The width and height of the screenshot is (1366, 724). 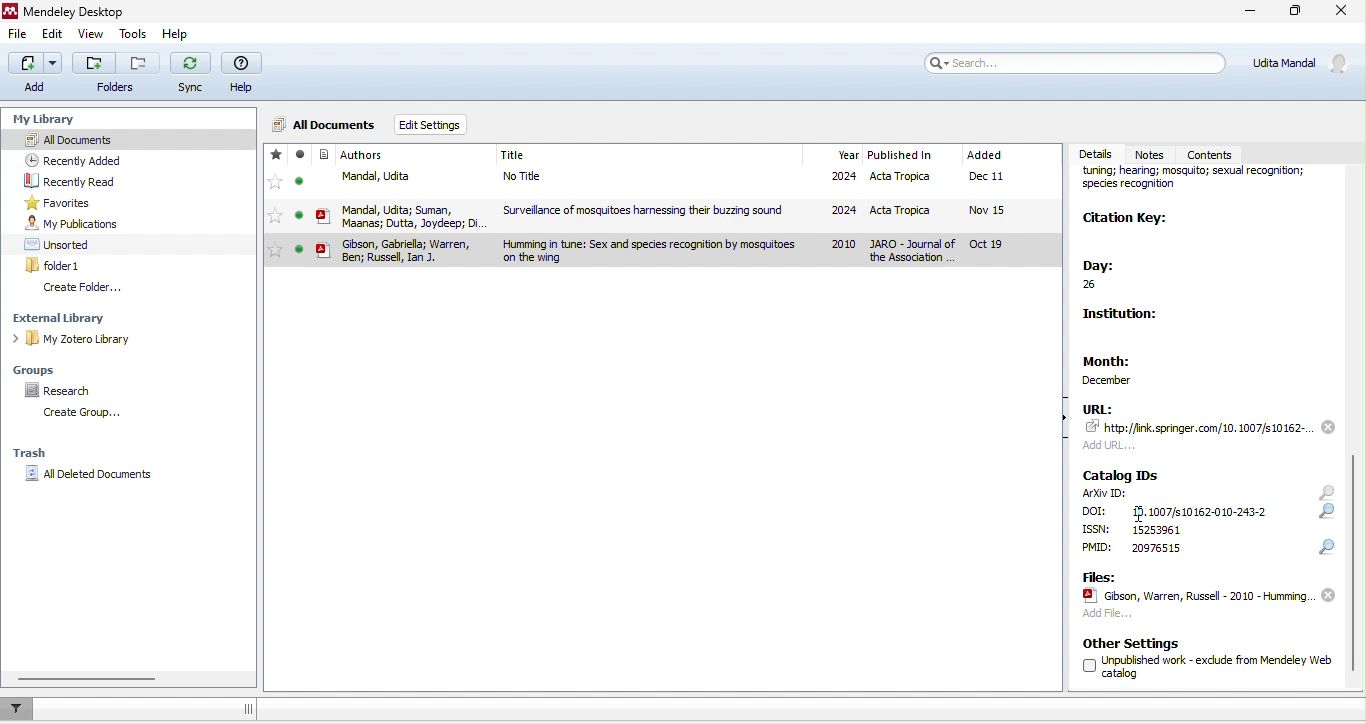 I want to click on year, so click(x=847, y=155).